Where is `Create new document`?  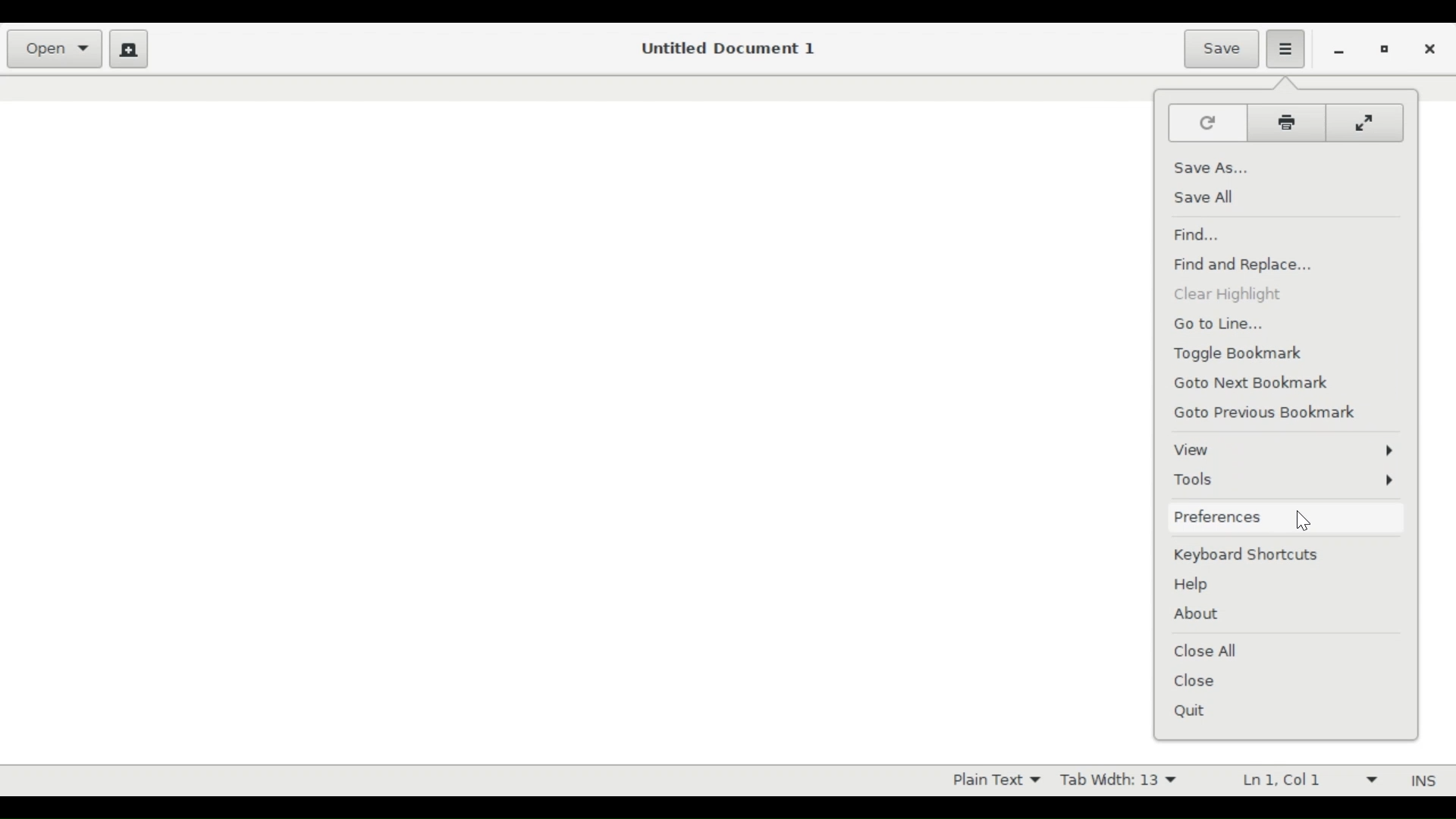
Create new document is located at coordinates (130, 49).